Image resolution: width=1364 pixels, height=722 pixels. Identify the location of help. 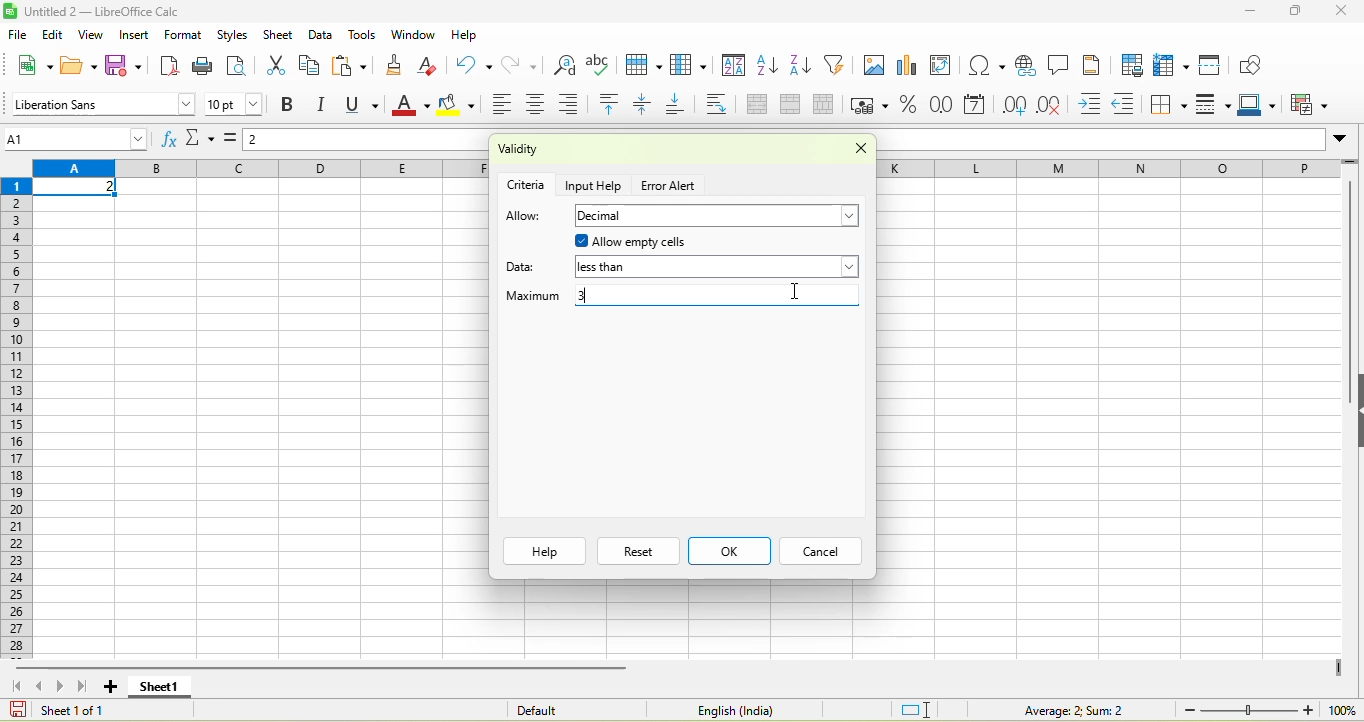
(544, 551).